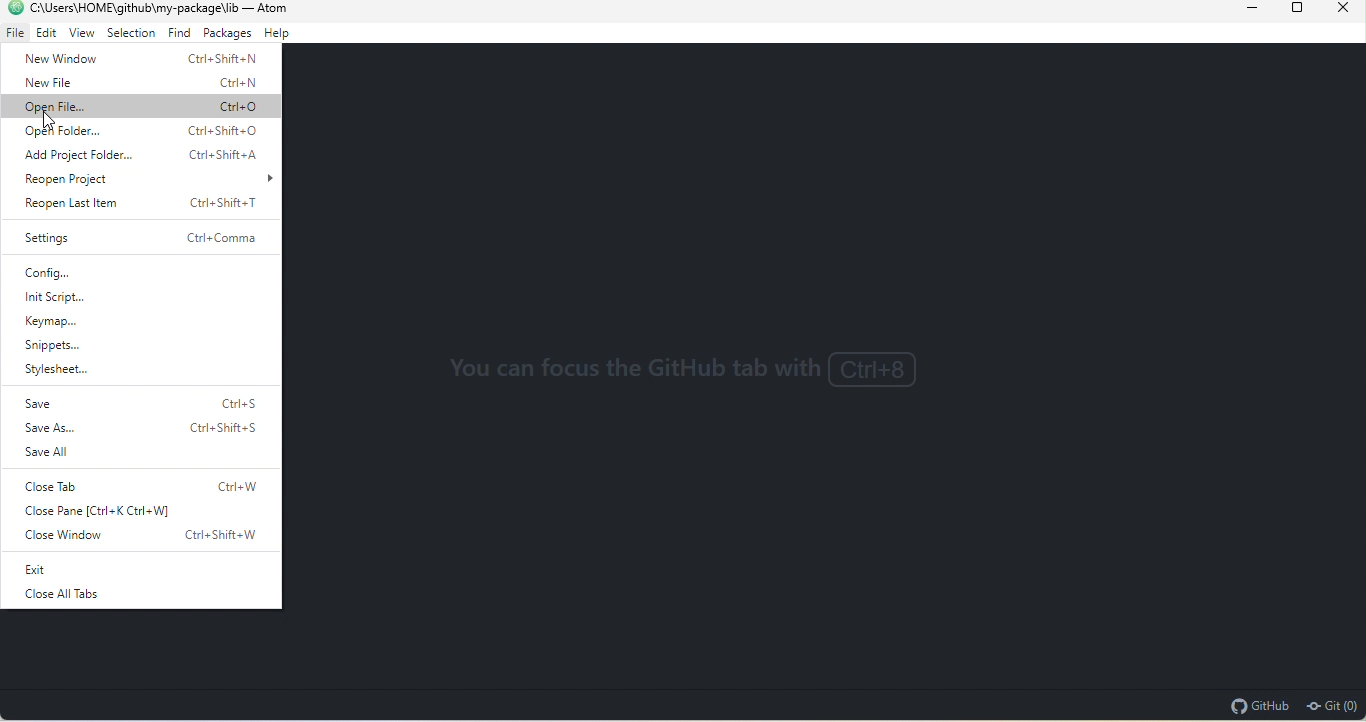 The height and width of the screenshot is (722, 1366). What do you see at coordinates (14, 34) in the screenshot?
I see `file` at bounding box center [14, 34].